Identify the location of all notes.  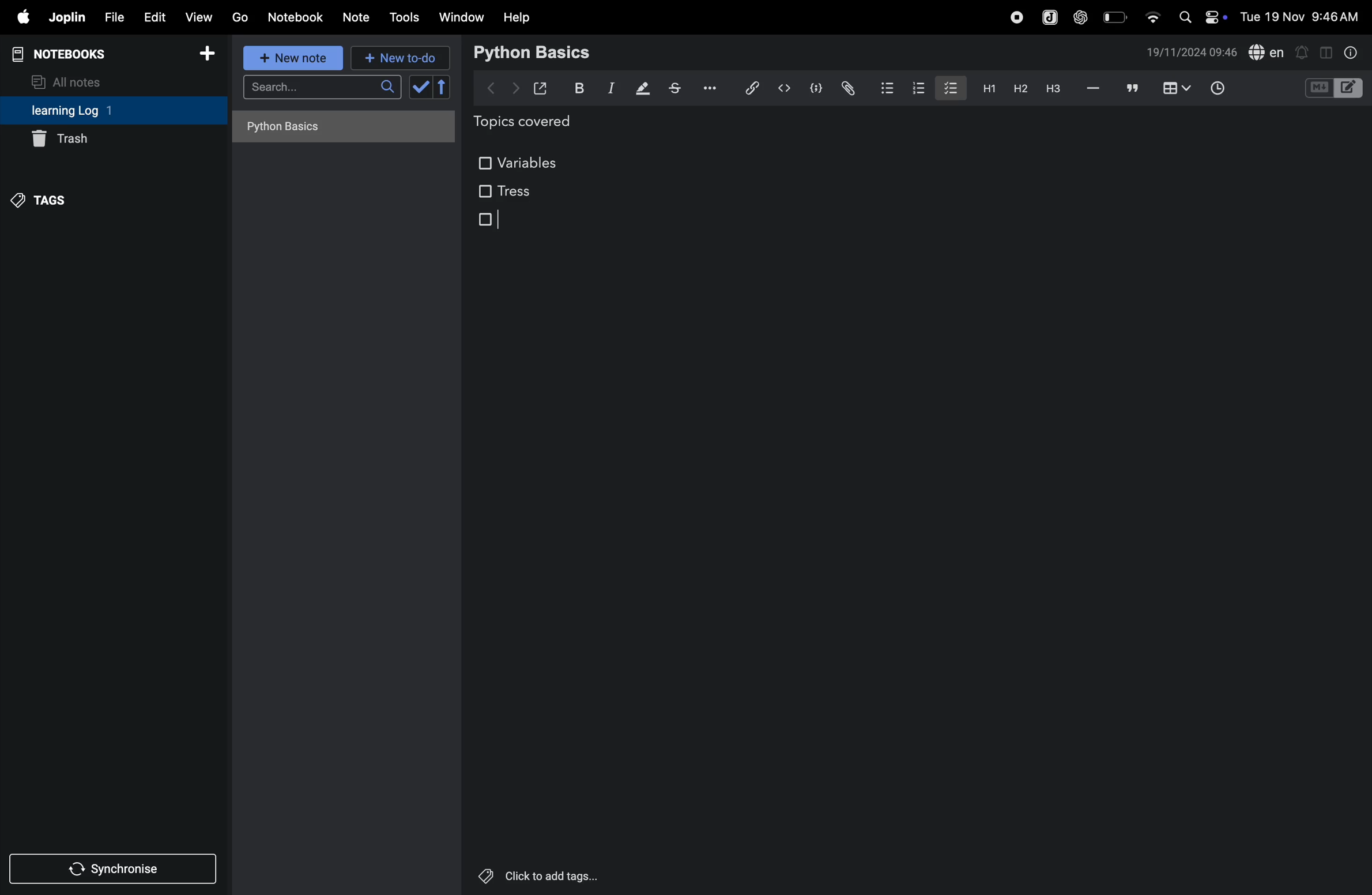
(73, 81).